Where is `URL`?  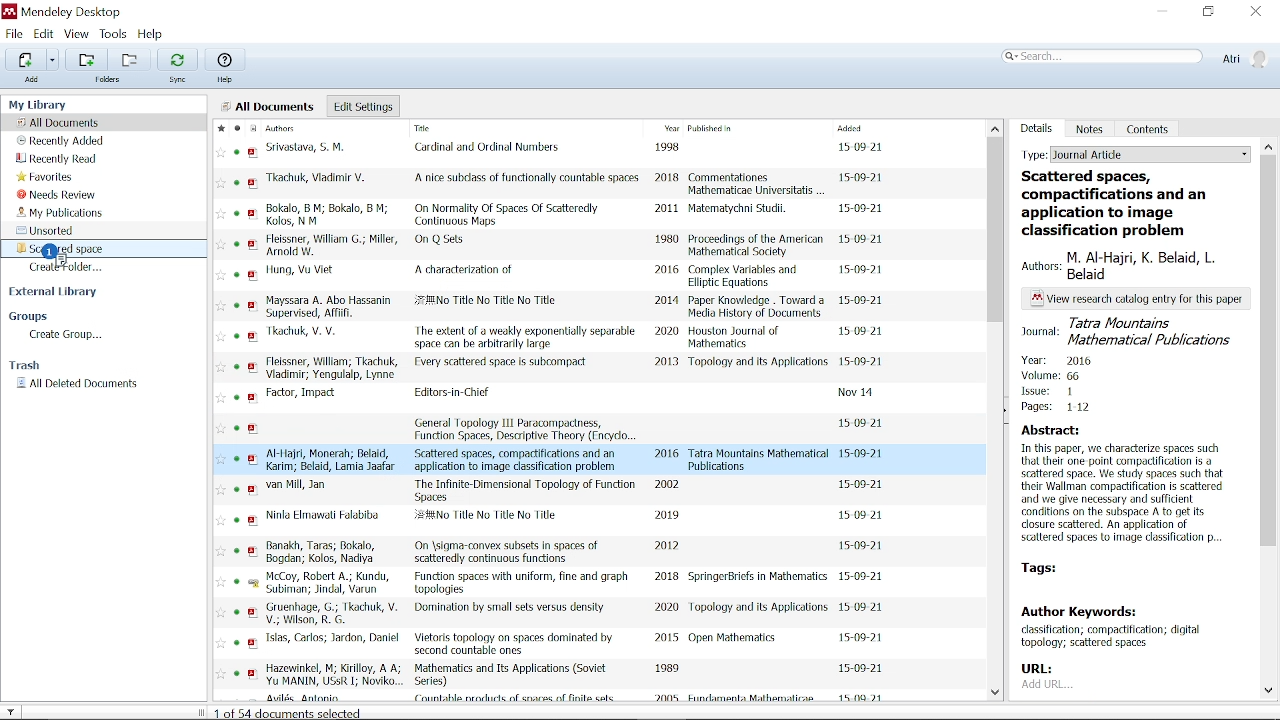
URL is located at coordinates (1045, 678).